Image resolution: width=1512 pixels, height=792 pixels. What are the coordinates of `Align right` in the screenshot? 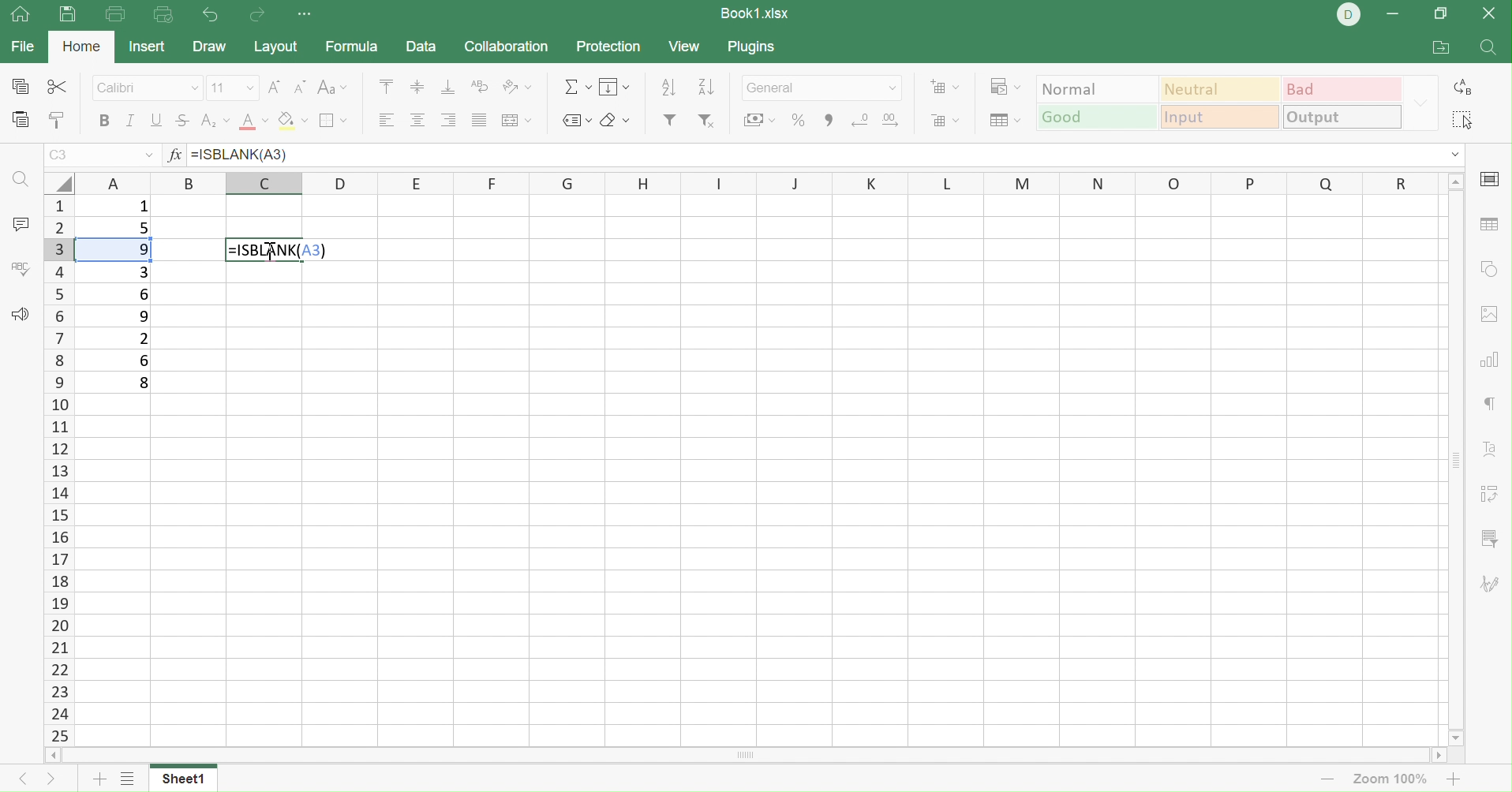 It's located at (449, 121).